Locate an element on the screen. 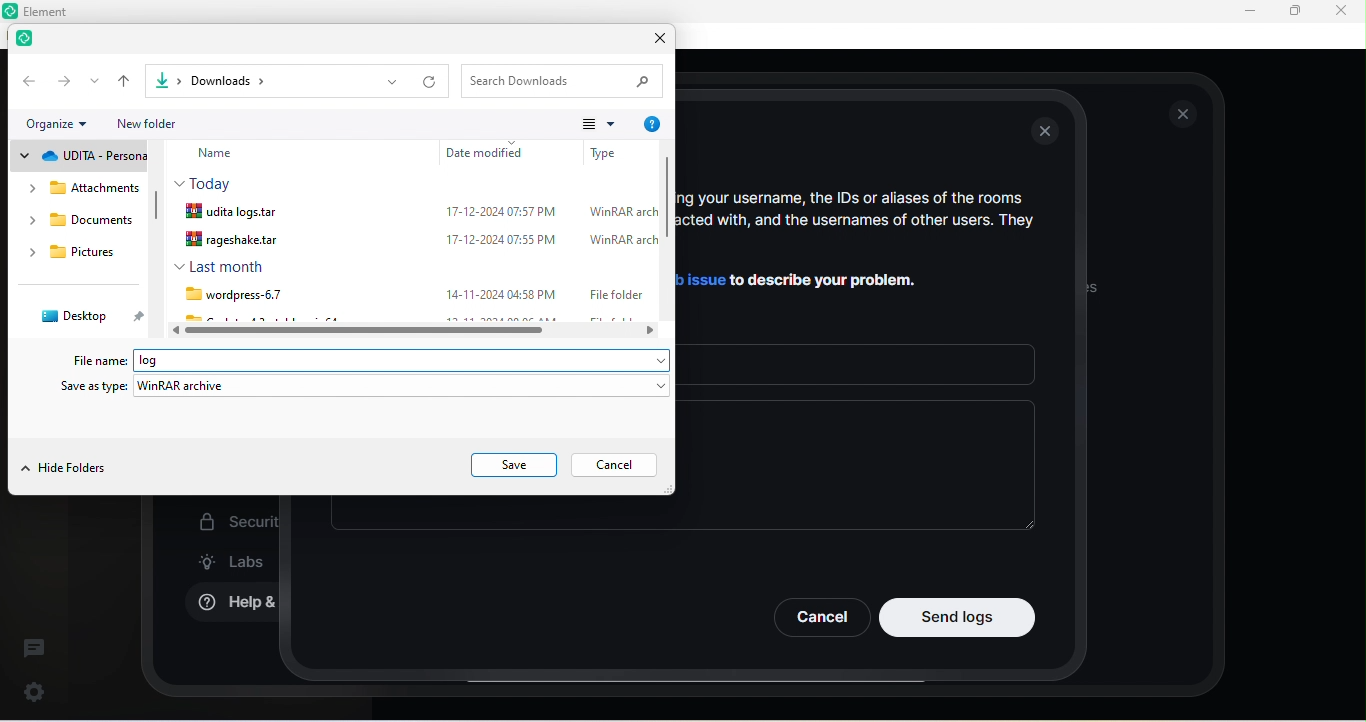  vertical scroll bar is located at coordinates (667, 236).